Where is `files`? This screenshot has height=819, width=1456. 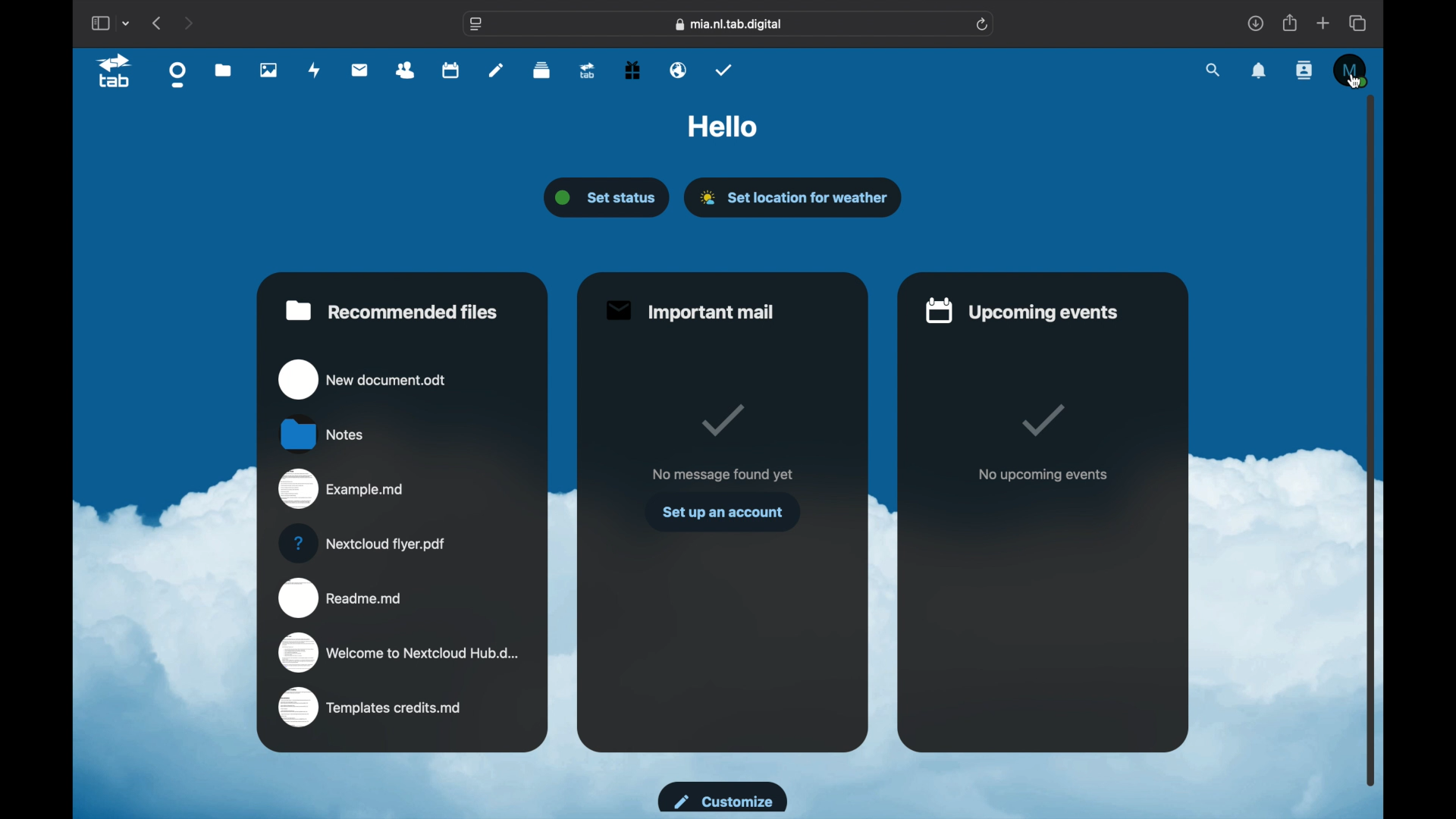 files is located at coordinates (223, 71).